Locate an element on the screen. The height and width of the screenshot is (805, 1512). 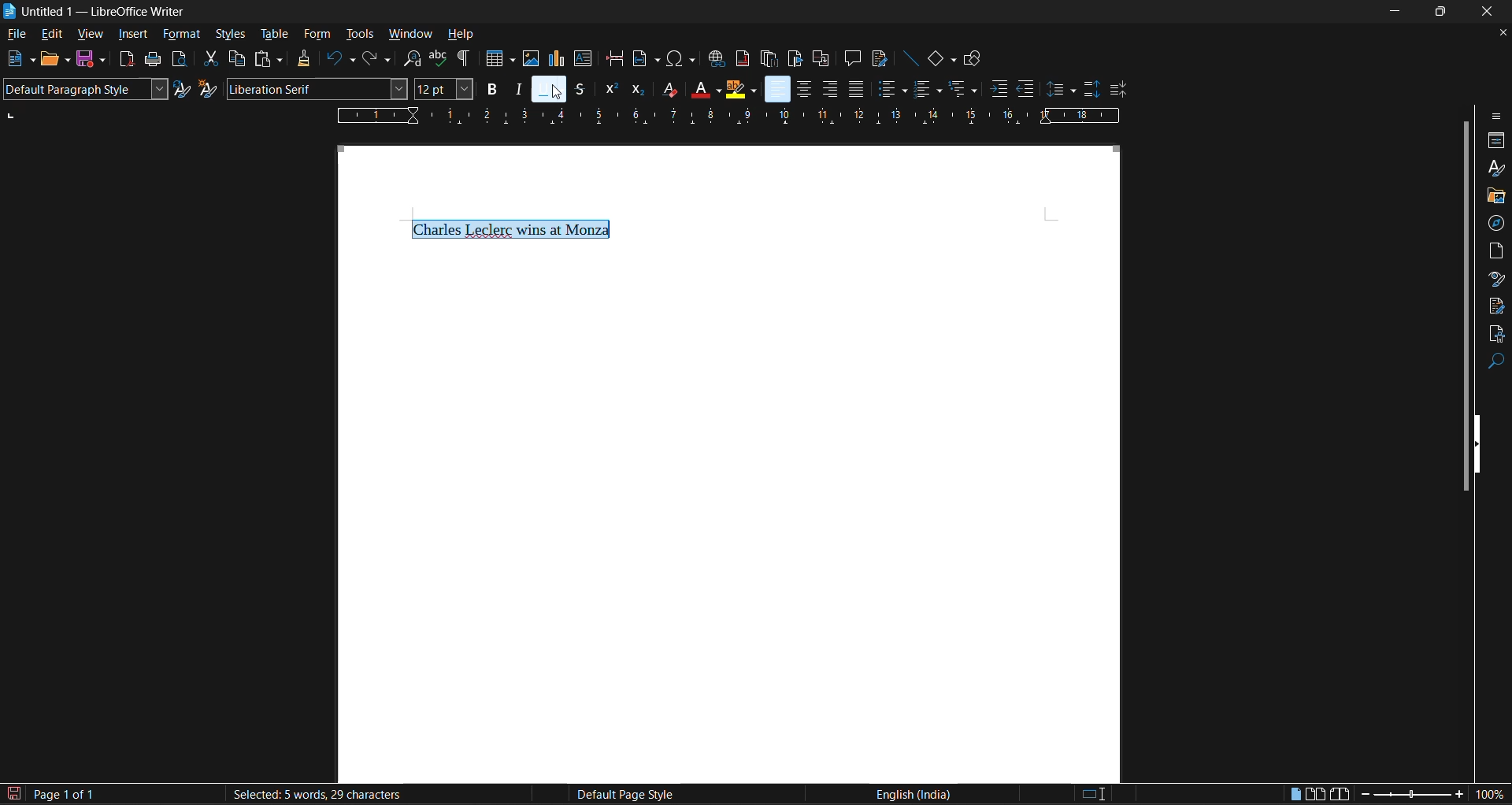
toggle ordered list is located at coordinates (926, 90).